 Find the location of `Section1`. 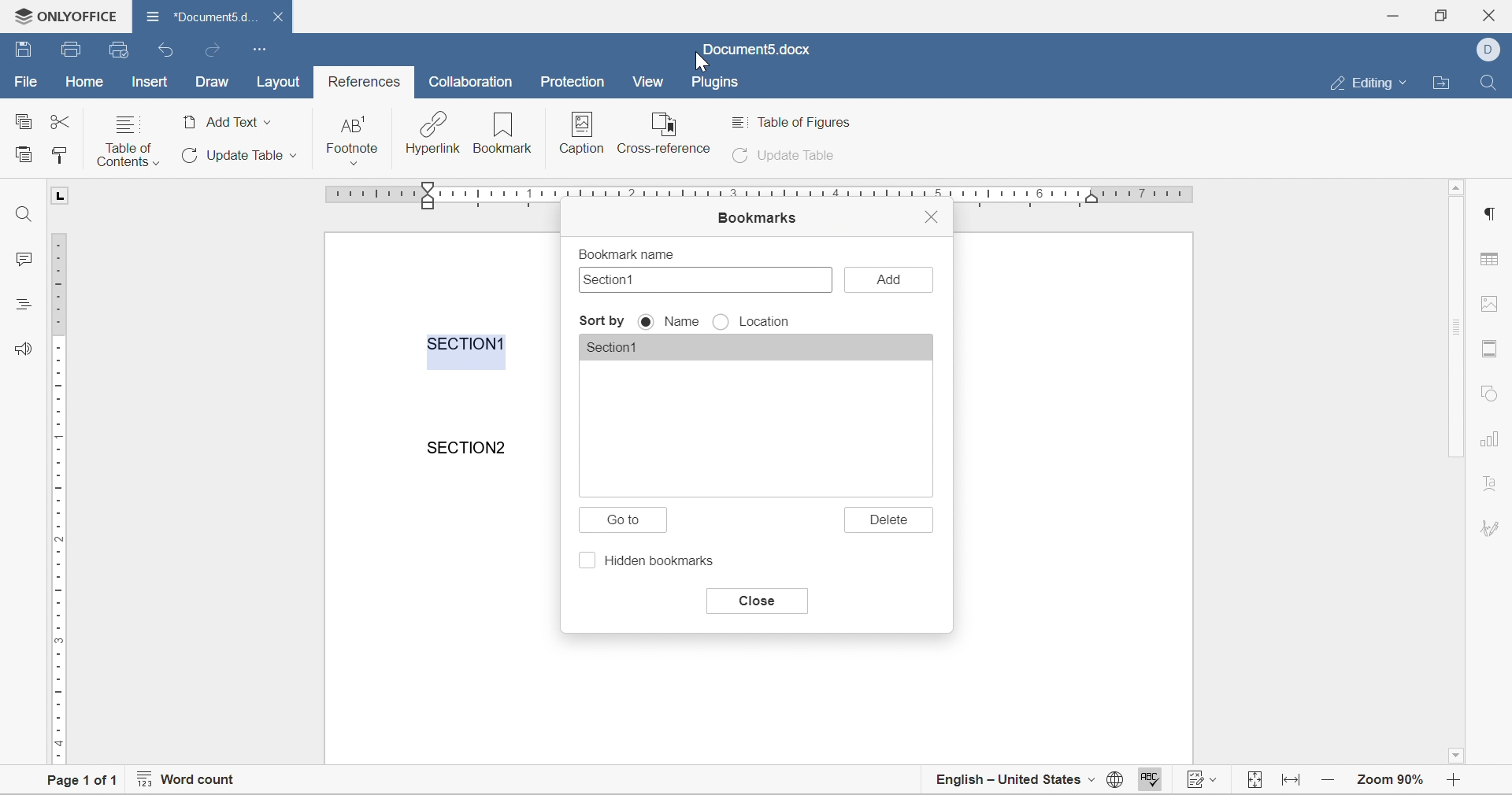

Section1 is located at coordinates (614, 279).